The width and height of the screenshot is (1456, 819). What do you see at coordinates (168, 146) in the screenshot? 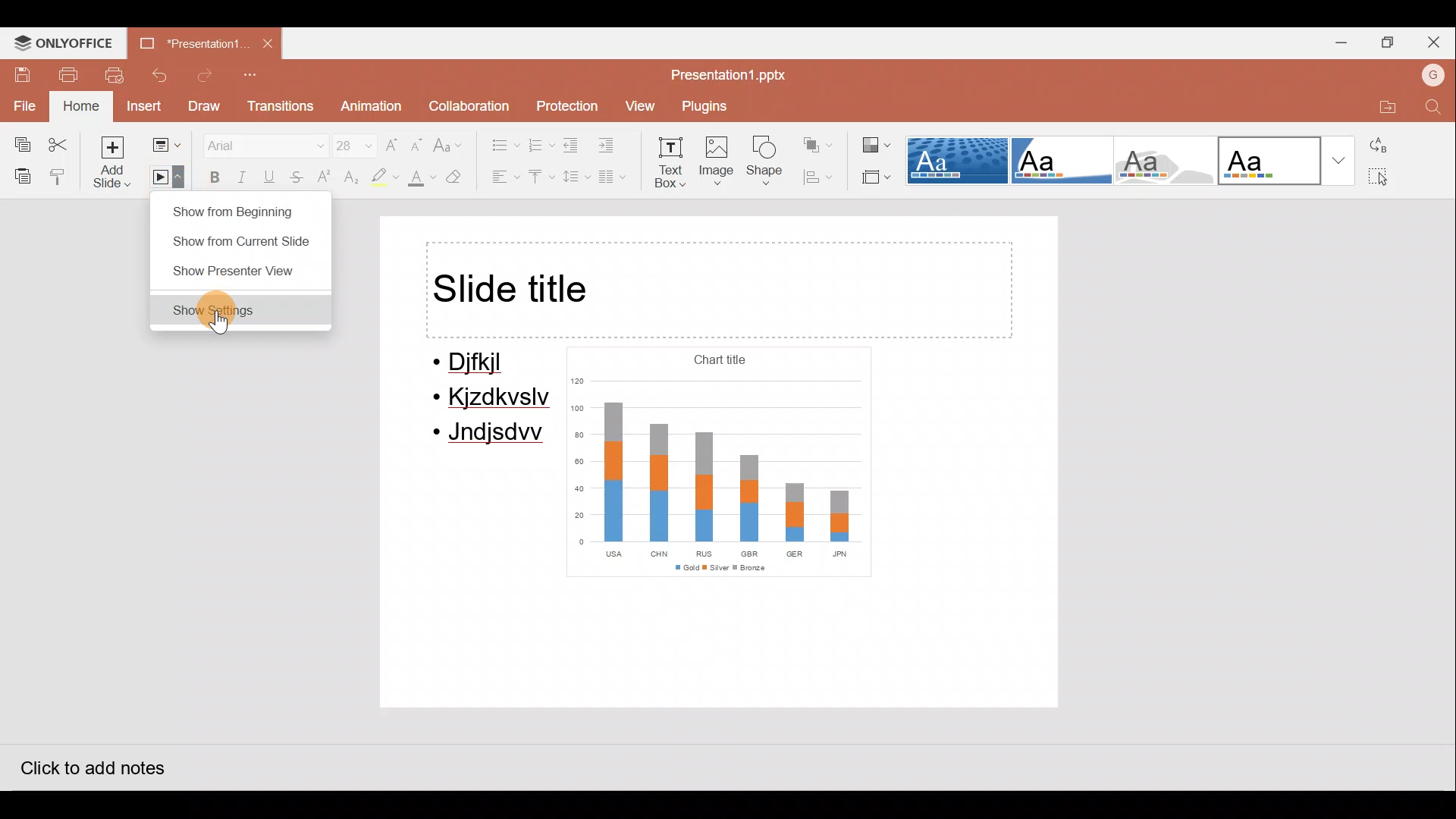
I see `Change slide layout` at bounding box center [168, 146].